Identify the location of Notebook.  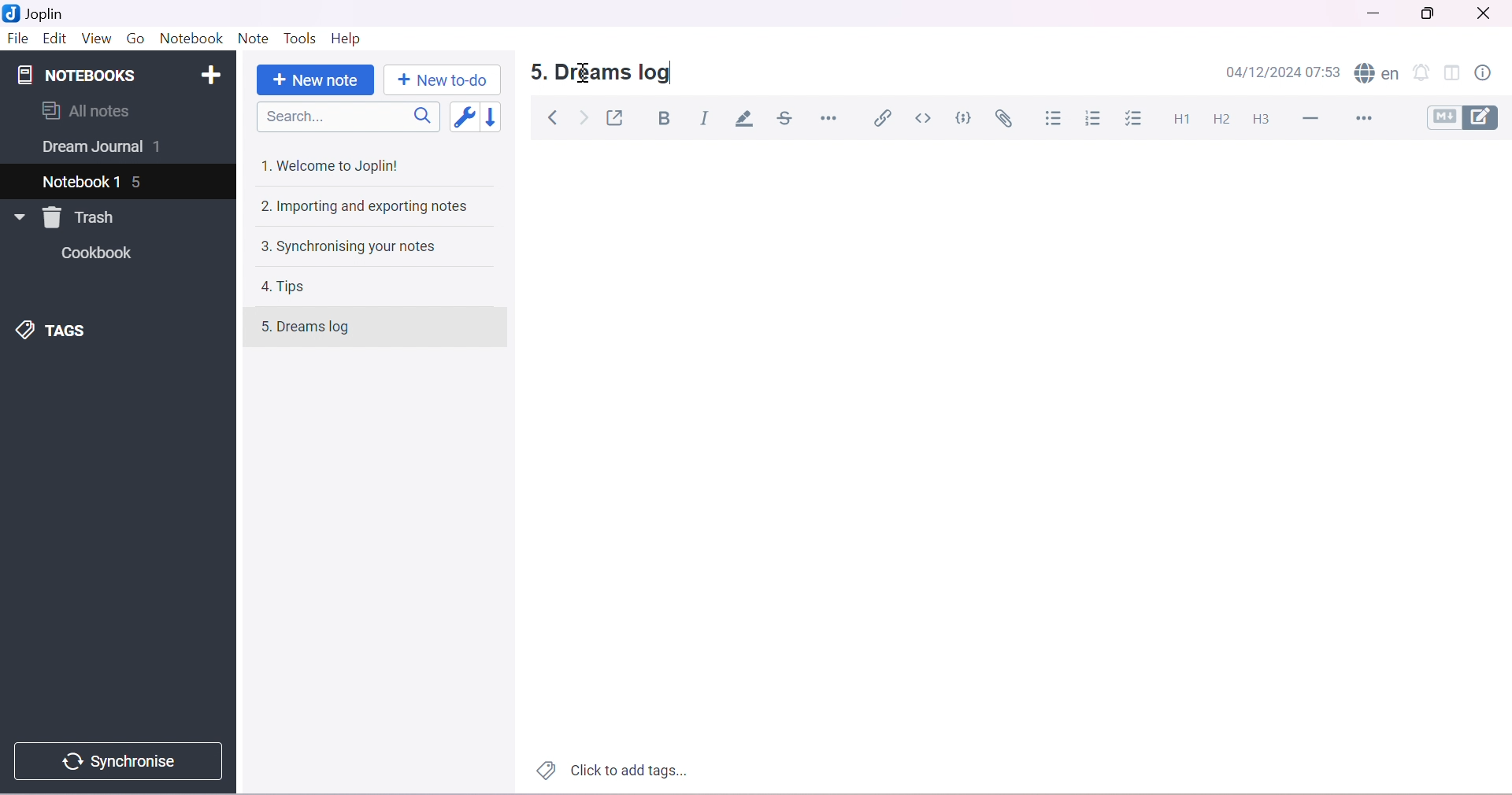
(193, 39).